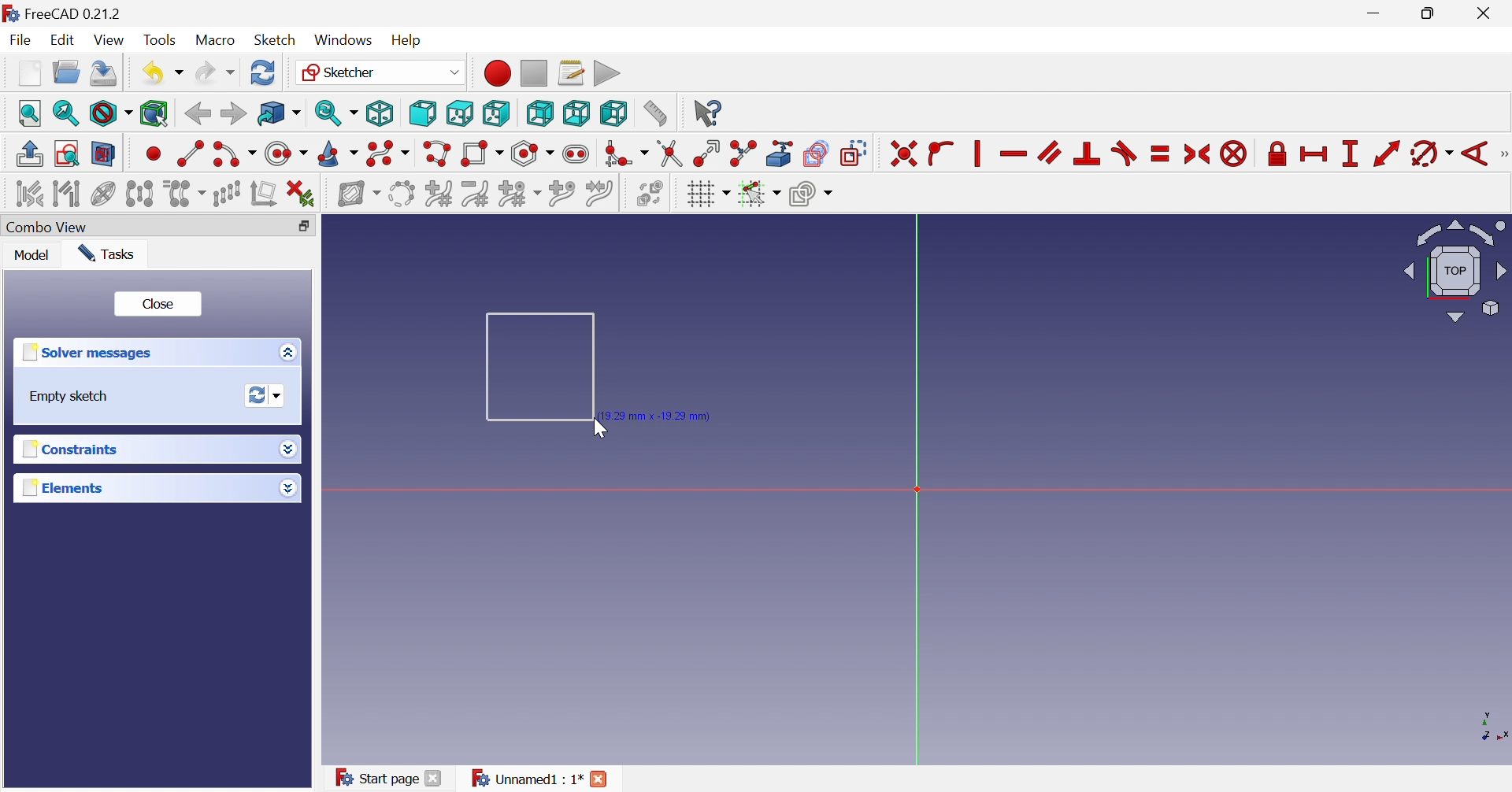 The height and width of the screenshot is (792, 1512). Describe the element at coordinates (533, 154) in the screenshot. I see `Create regular polygon` at that location.